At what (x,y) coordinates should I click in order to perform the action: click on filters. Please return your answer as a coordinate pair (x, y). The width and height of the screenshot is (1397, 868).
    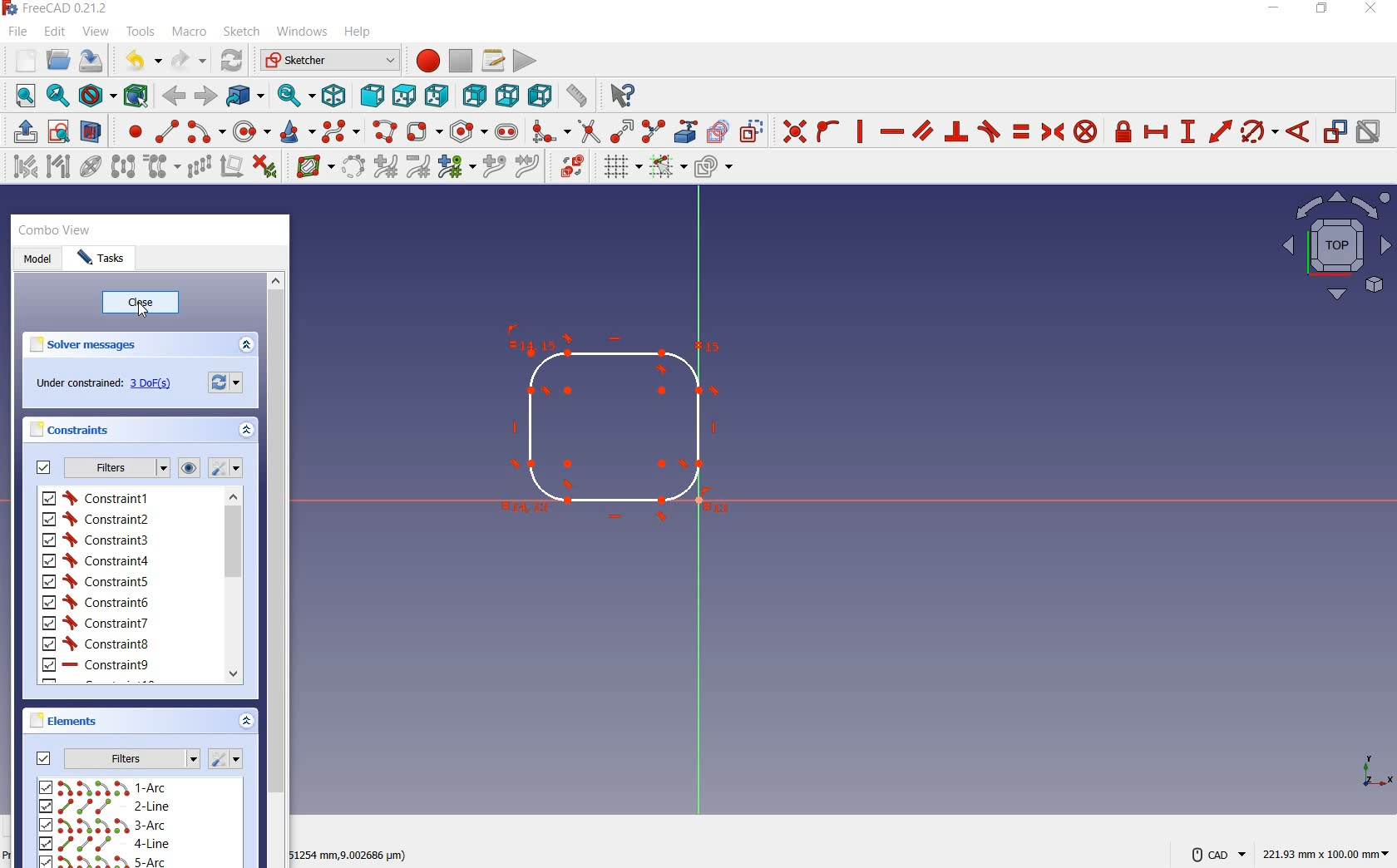
    Looking at the image, I should click on (102, 469).